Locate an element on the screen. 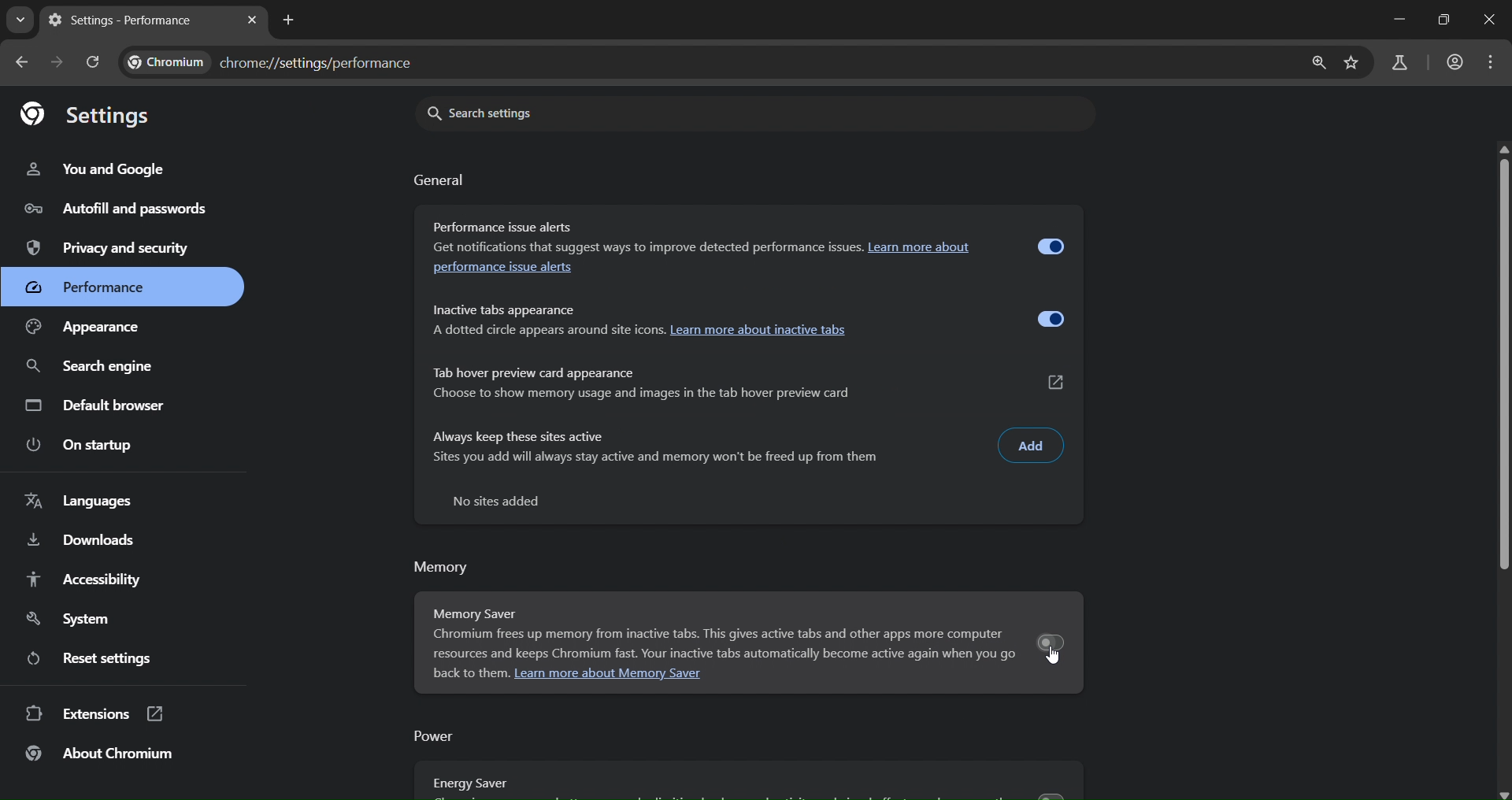  toggle button is located at coordinates (1051, 321).